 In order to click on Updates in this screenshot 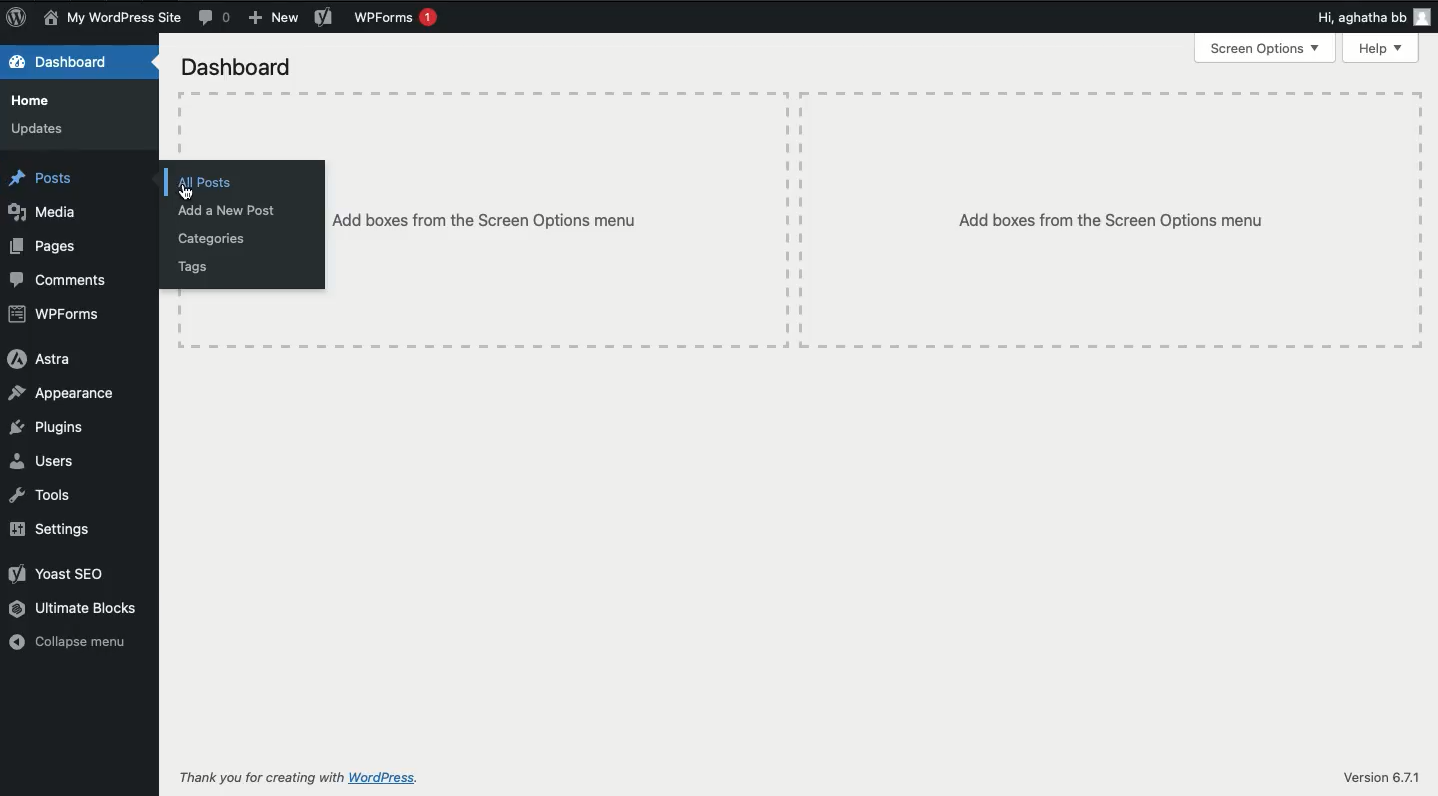, I will do `click(43, 129)`.